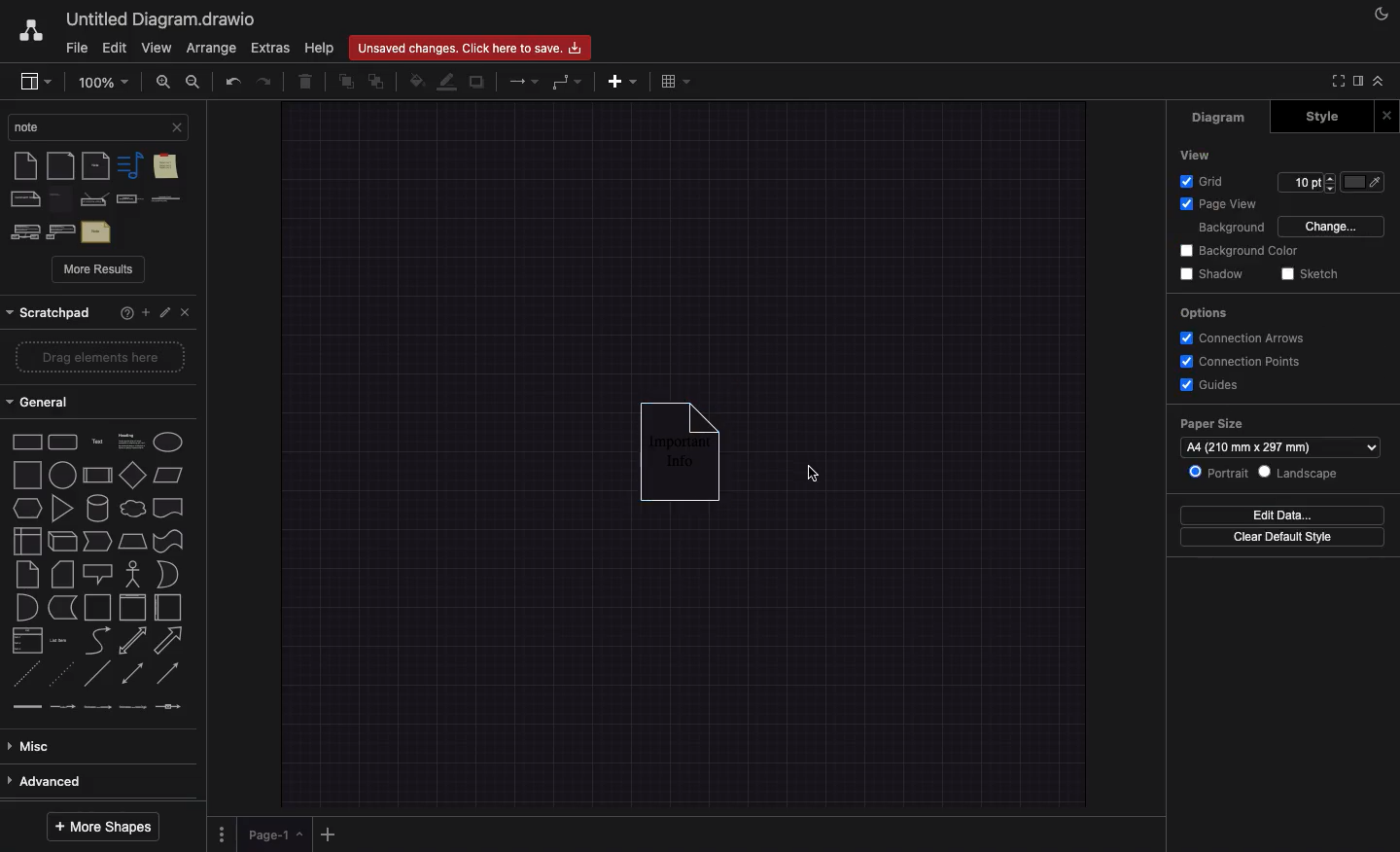 Image resolution: width=1400 pixels, height=852 pixels. Describe the element at coordinates (133, 676) in the screenshot. I see `bidirectional connector` at that location.